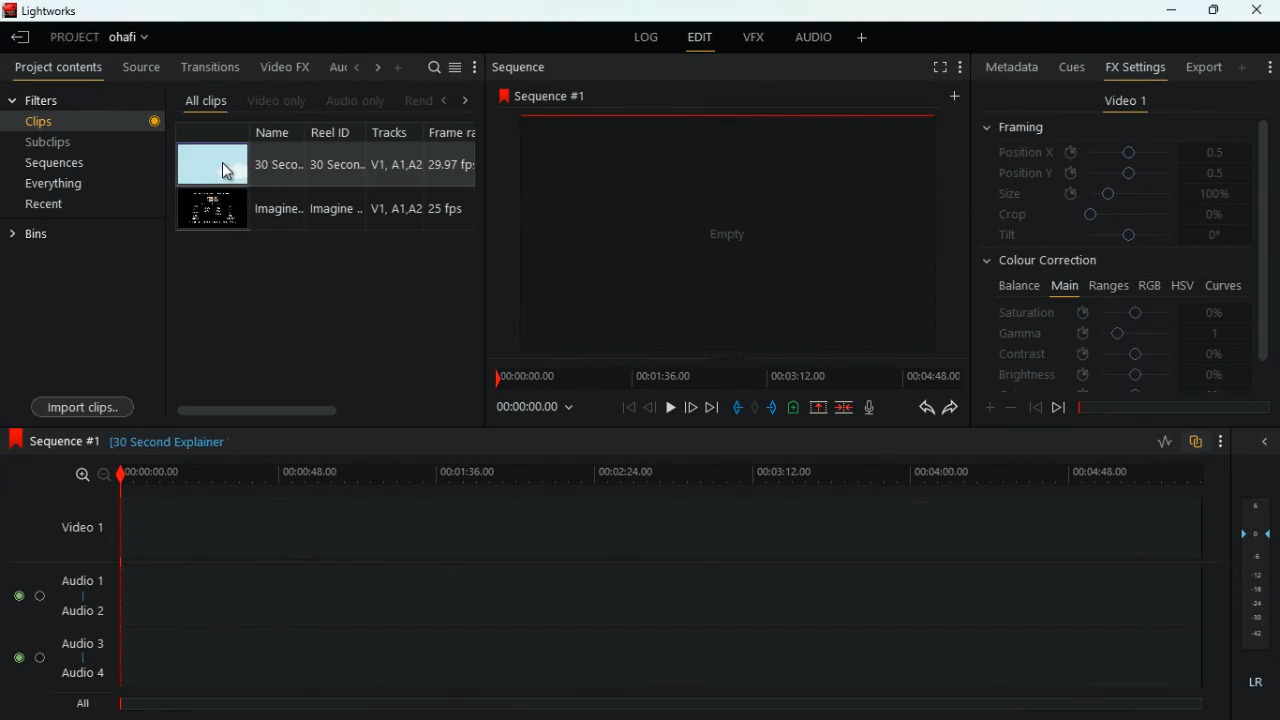 The height and width of the screenshot is (720, 1280). I want to click on video only, so click(274, 101).